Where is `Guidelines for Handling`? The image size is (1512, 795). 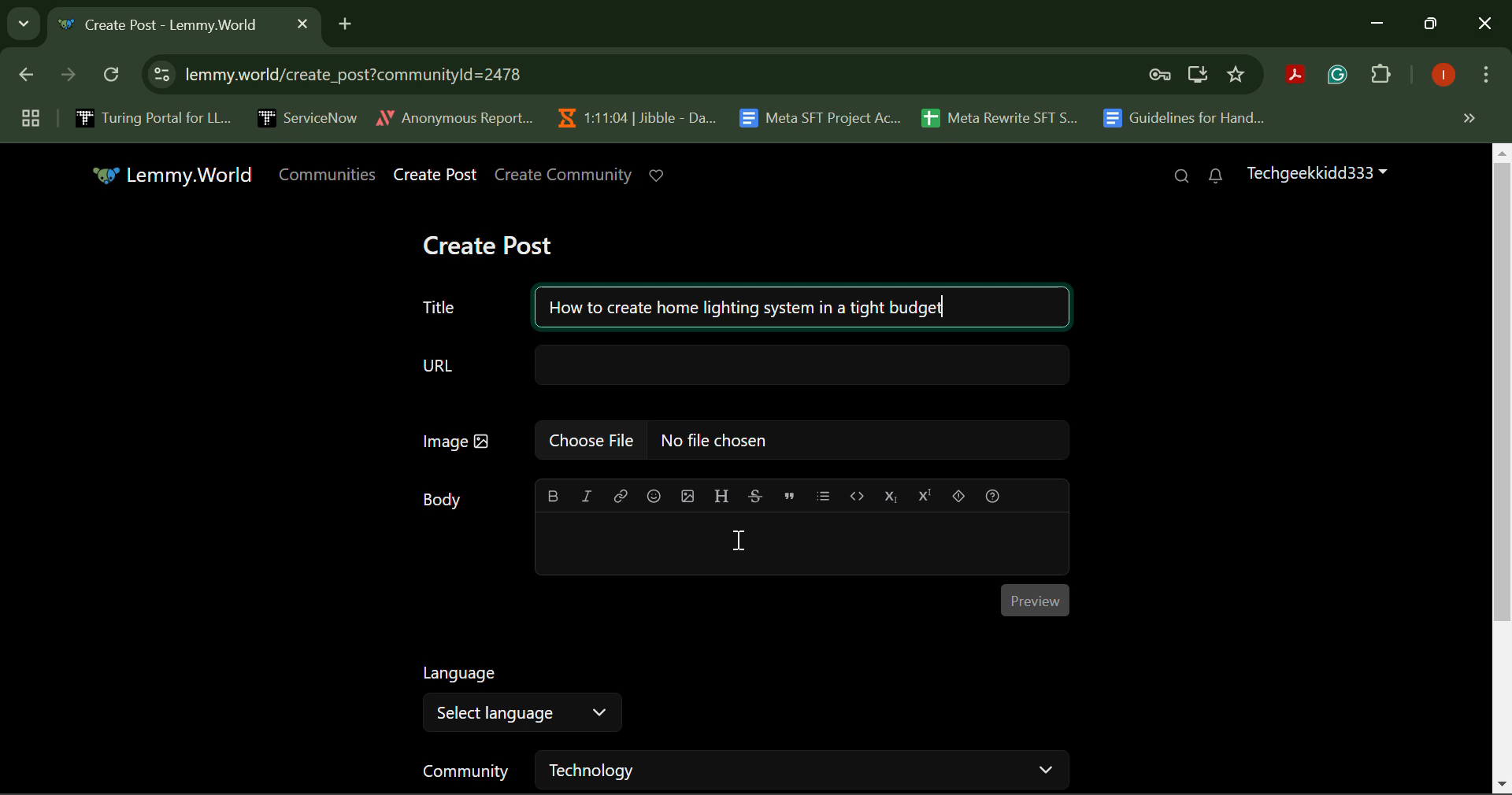 Guidelines for Handling is located at coordinates (1186, 118).